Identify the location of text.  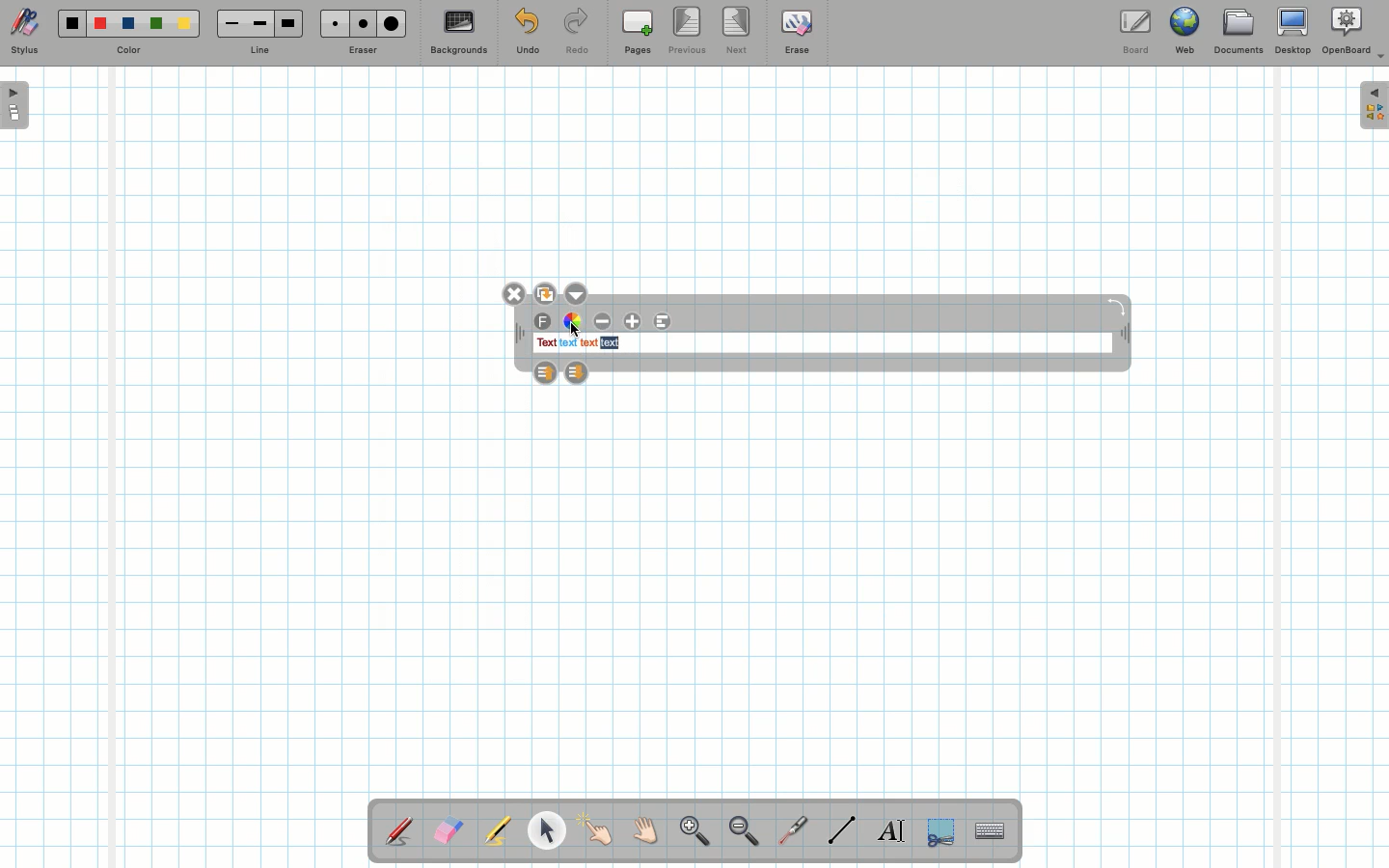
(589, 343).